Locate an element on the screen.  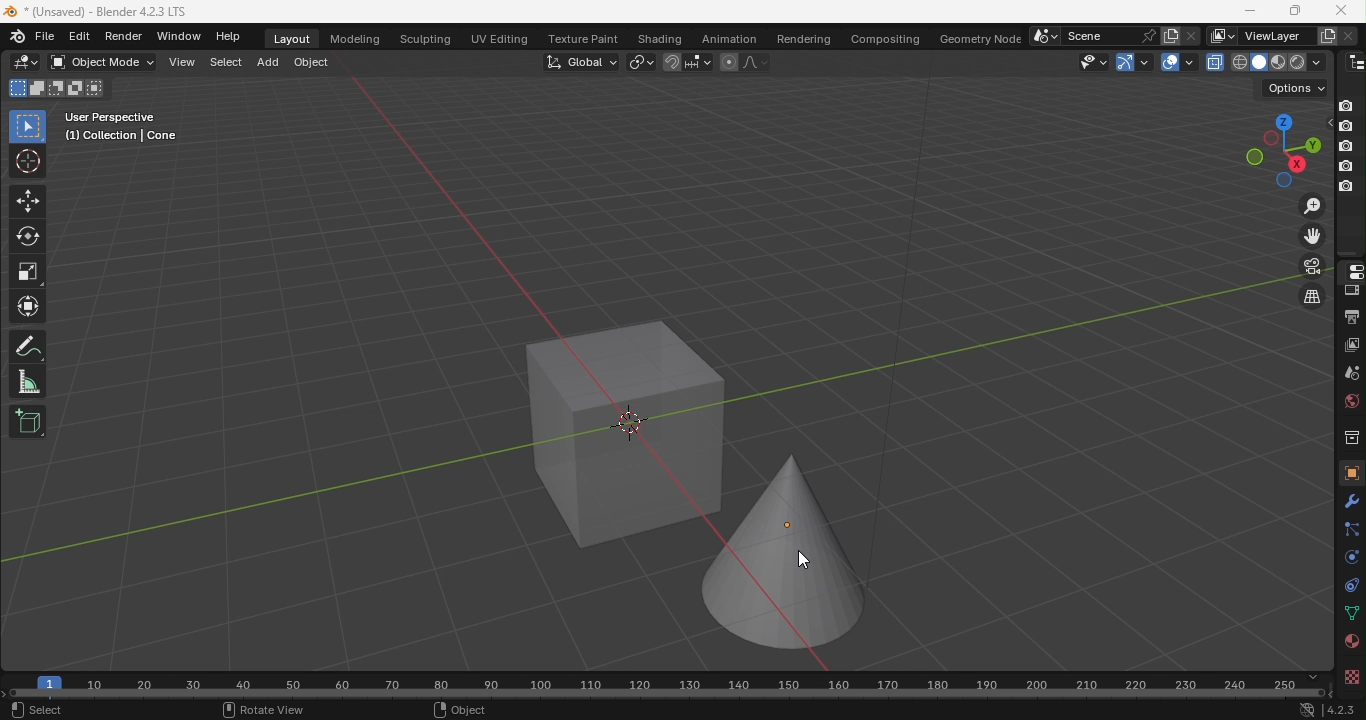
Show overlays is located at coordinates (1169, 62).